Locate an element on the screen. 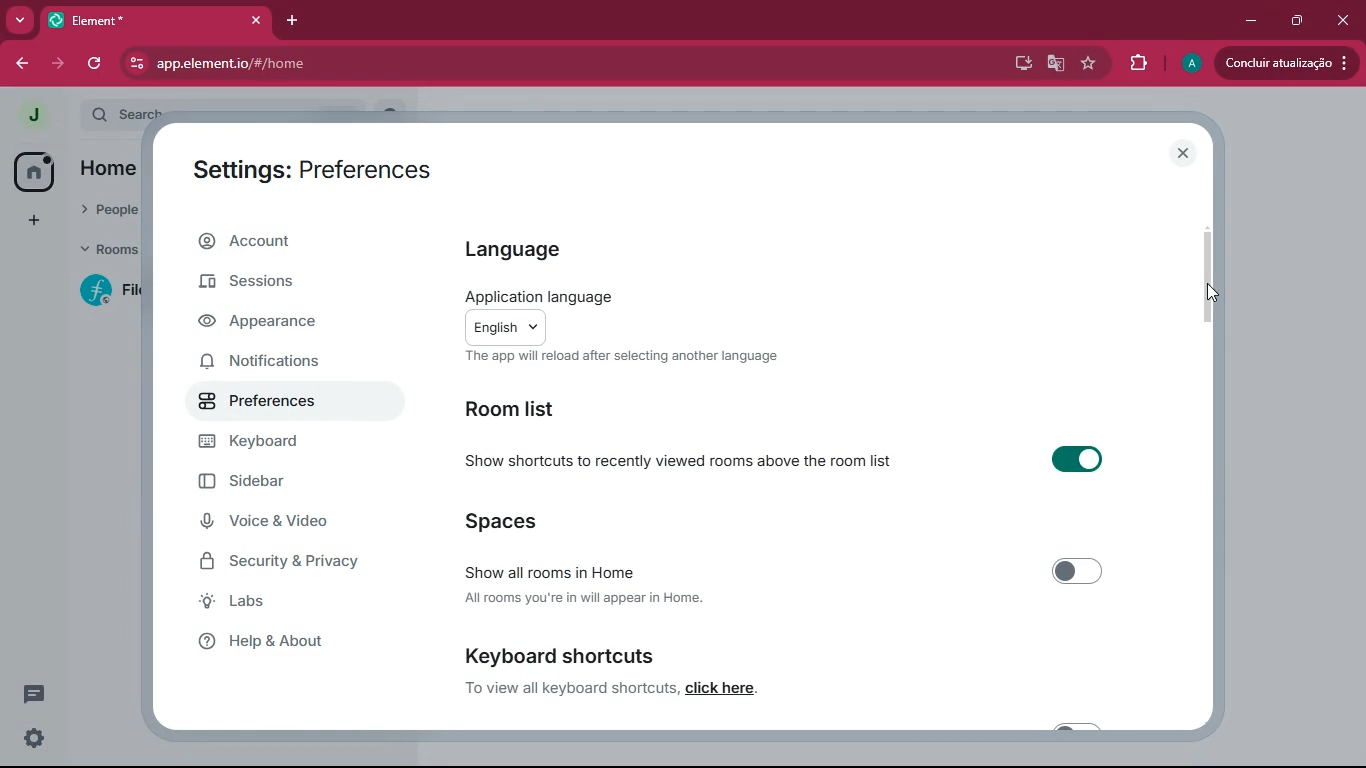  google translate is located at coordinates (1054, 63).